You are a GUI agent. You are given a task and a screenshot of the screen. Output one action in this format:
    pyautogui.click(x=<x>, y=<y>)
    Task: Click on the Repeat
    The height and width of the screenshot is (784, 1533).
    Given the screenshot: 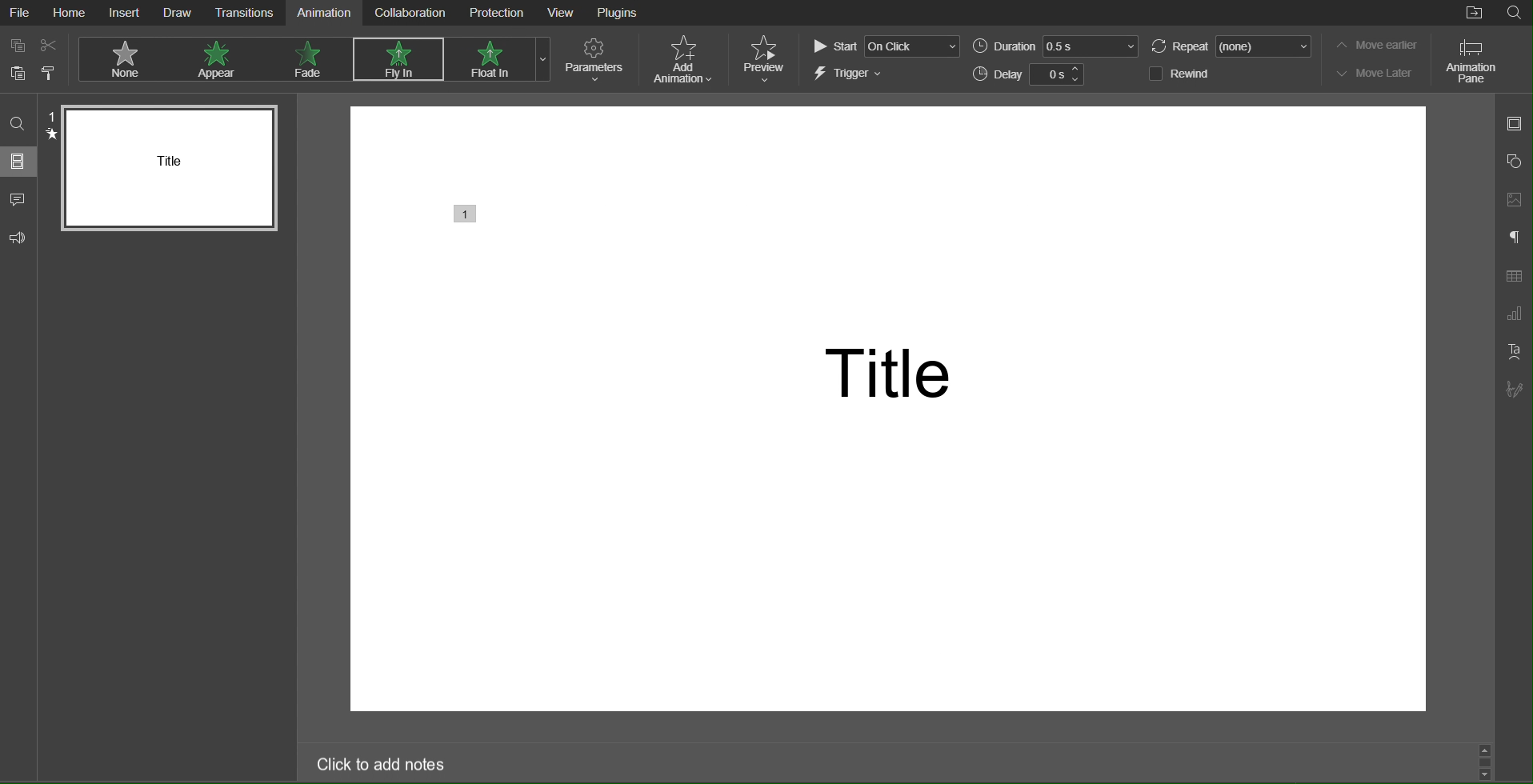 What is the action you would take?
    pyautogui.click(x=1227, y=46)
    